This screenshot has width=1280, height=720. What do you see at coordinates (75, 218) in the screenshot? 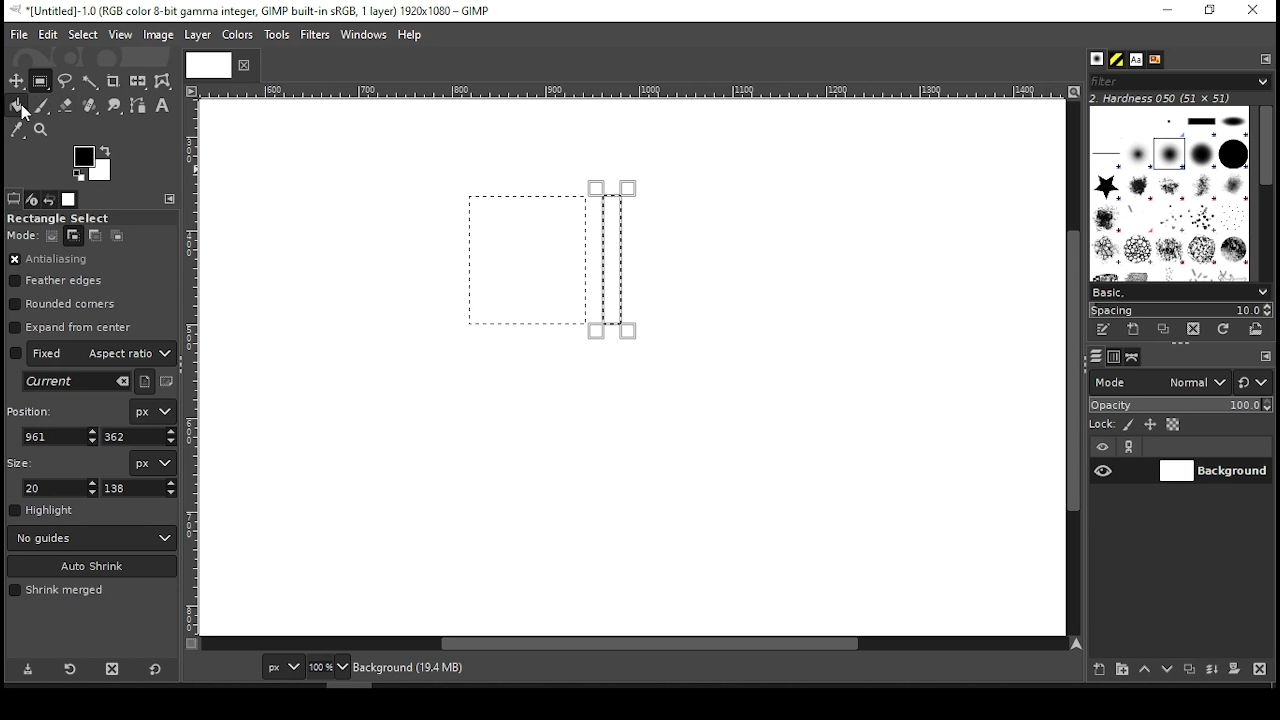
I see `rectangle select` at bounding box center [75, 218].